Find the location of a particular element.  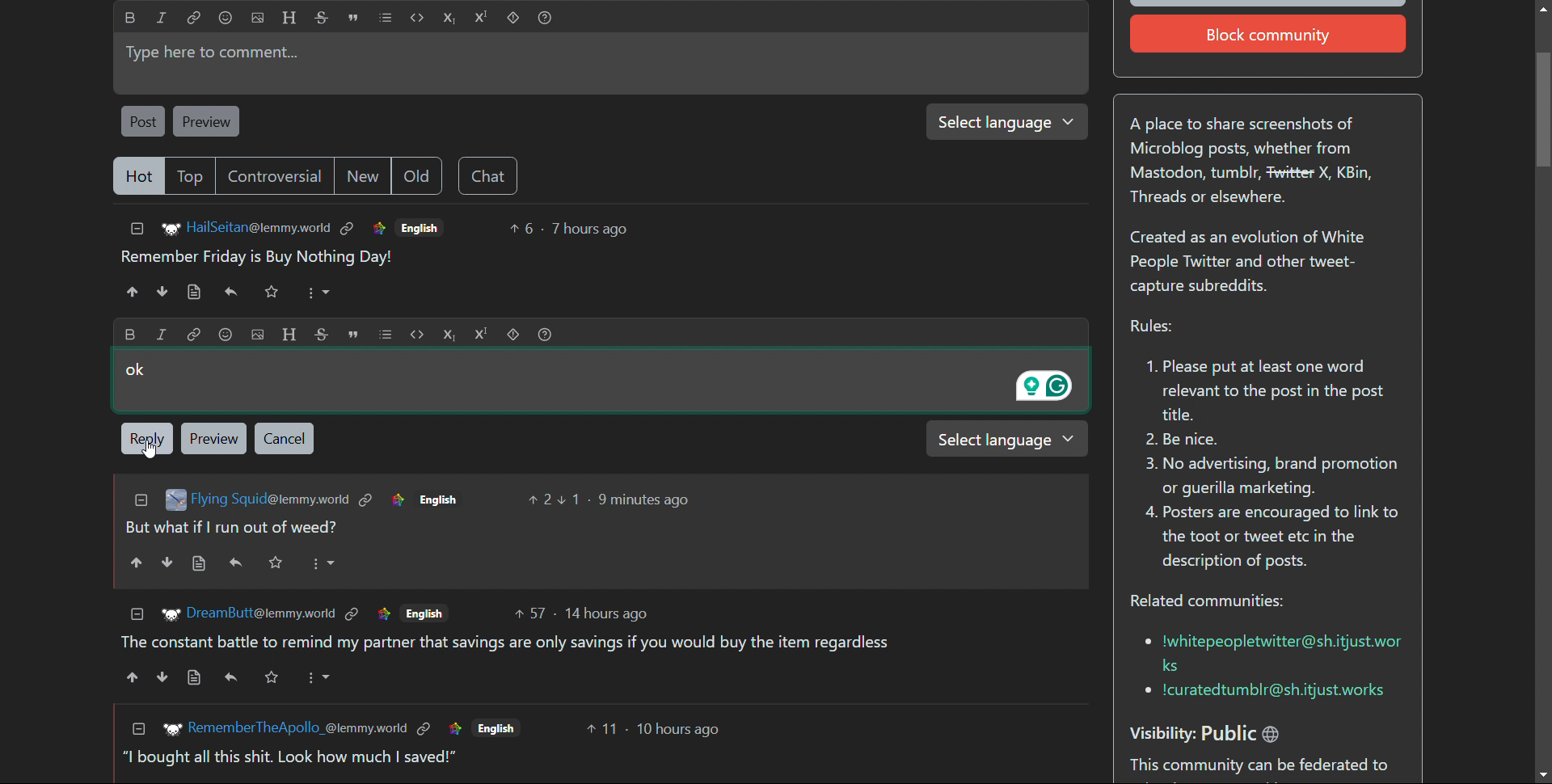

link is located at coordinates (379, 614).